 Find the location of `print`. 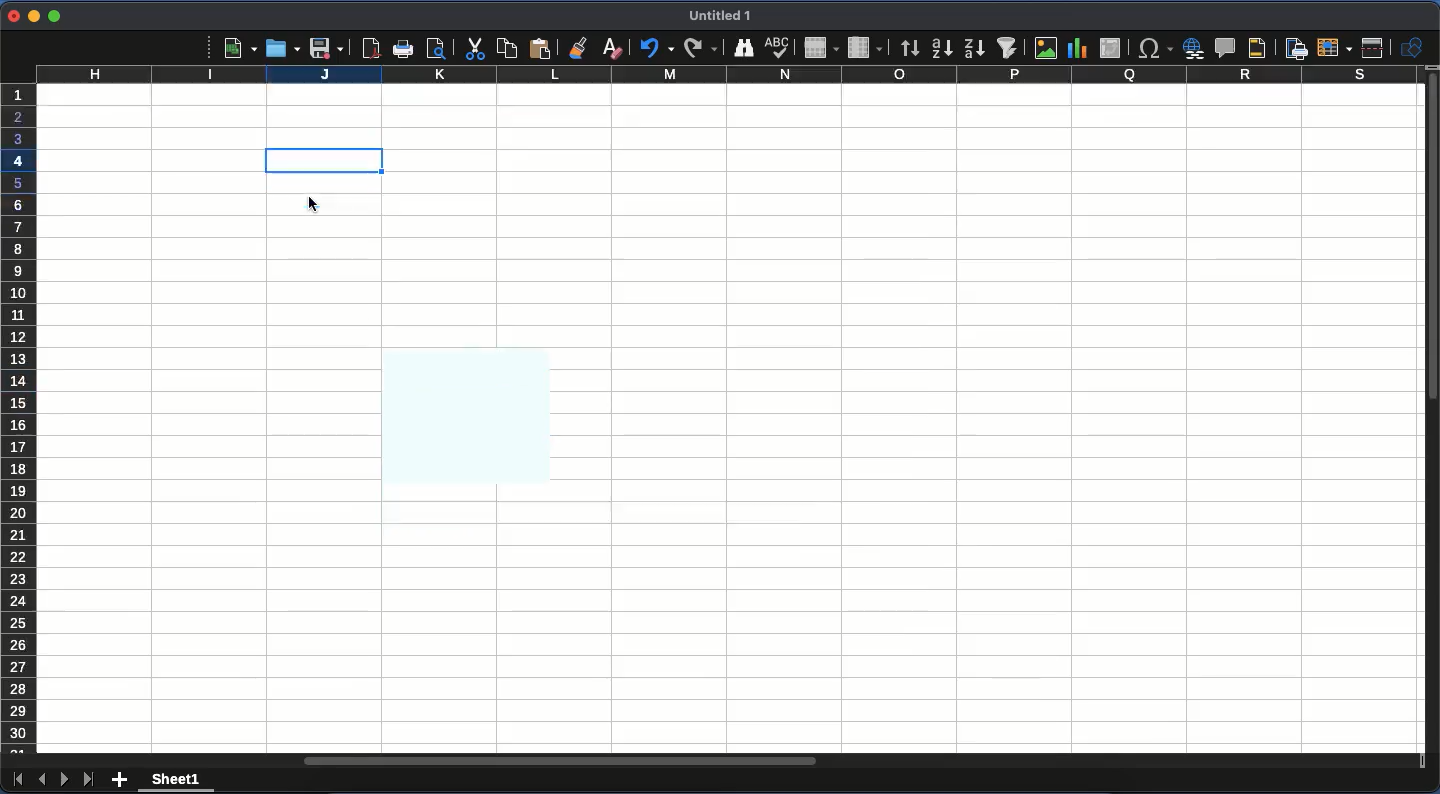

print is located at coordinates (402, 48).